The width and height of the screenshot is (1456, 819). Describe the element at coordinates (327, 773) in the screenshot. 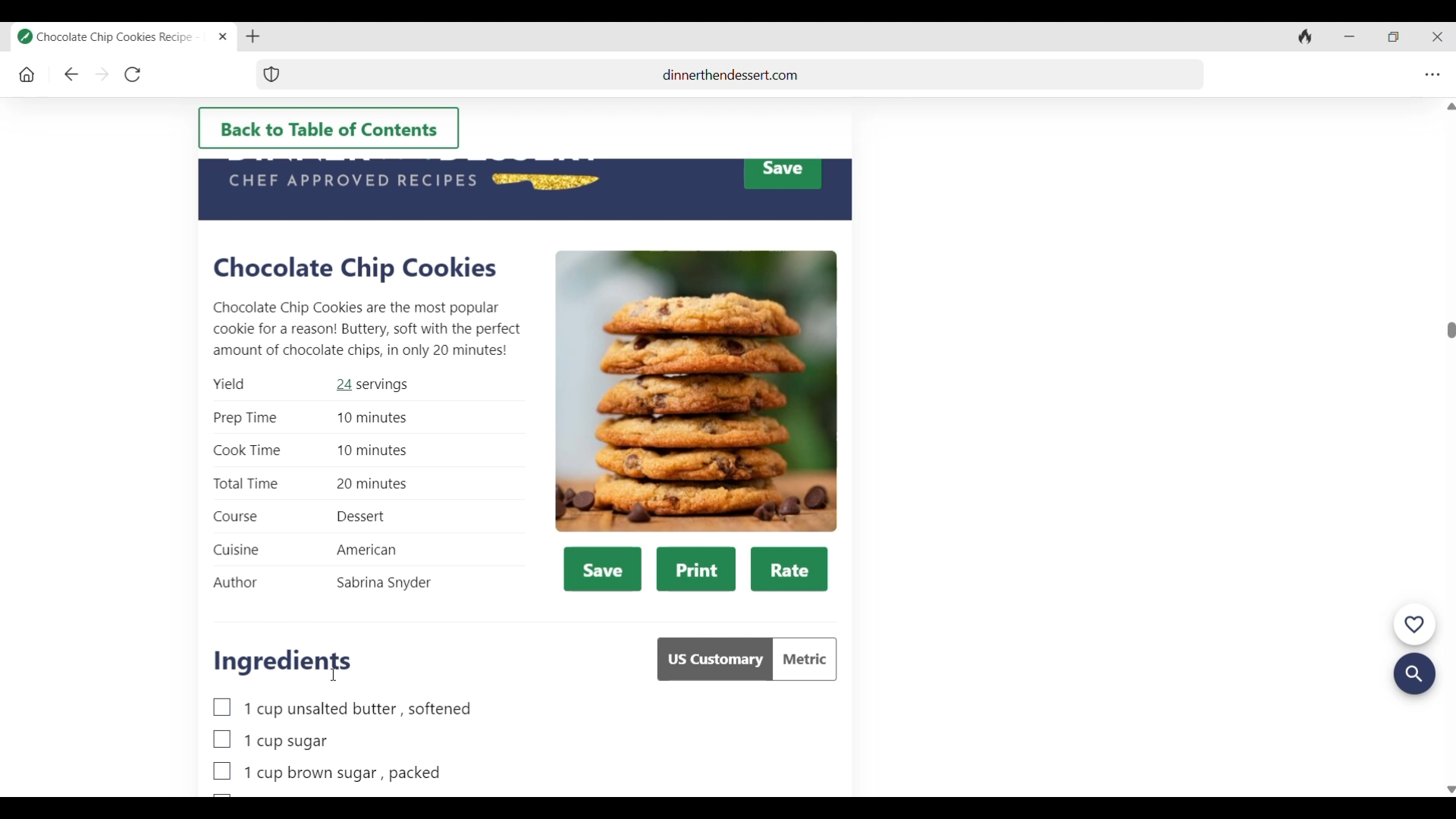

I see `1 cup brown sugar, packed` at that location.